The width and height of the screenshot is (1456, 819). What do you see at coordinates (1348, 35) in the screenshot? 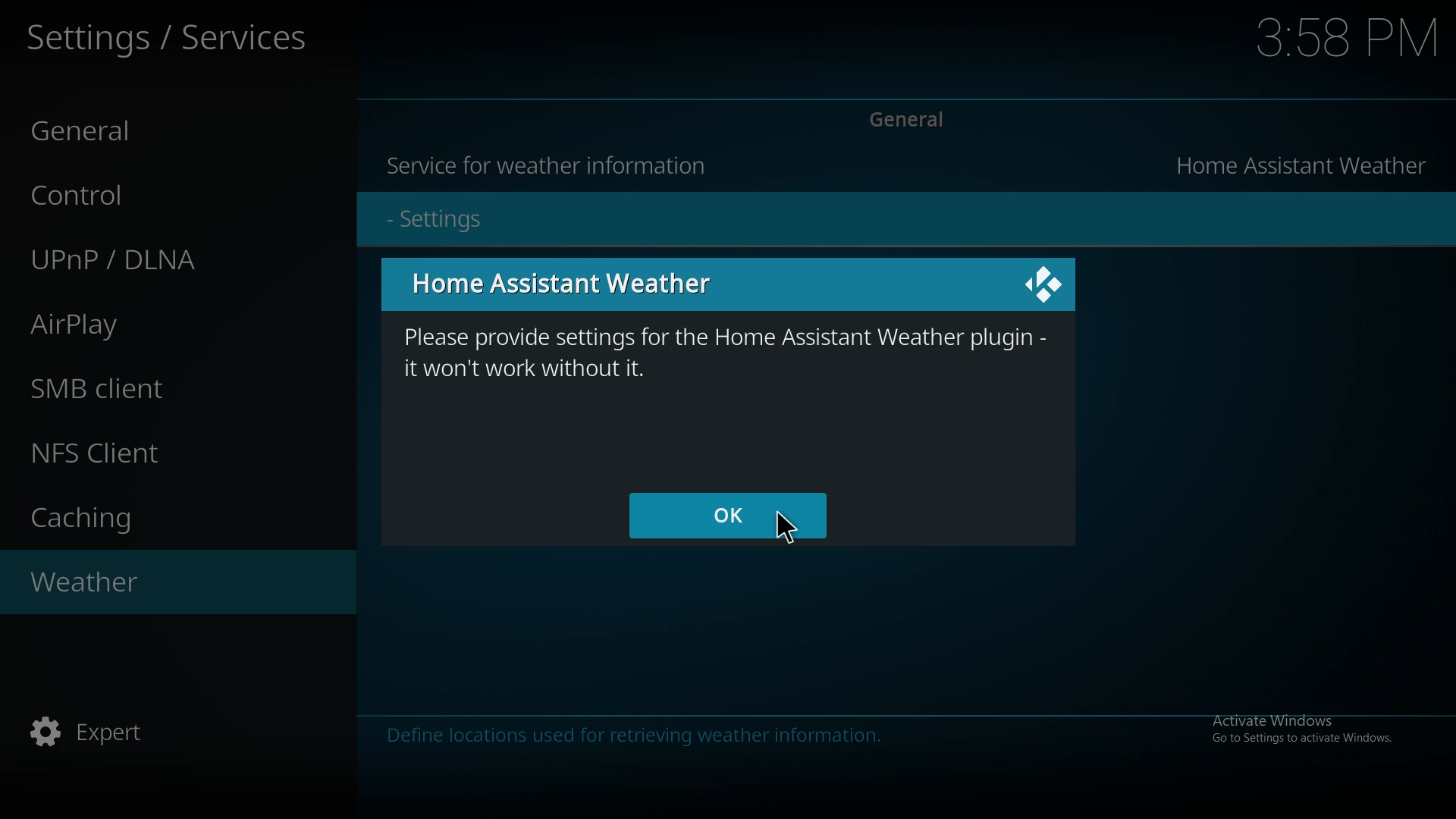
I see `Time` at bounding box center [1348, 35].